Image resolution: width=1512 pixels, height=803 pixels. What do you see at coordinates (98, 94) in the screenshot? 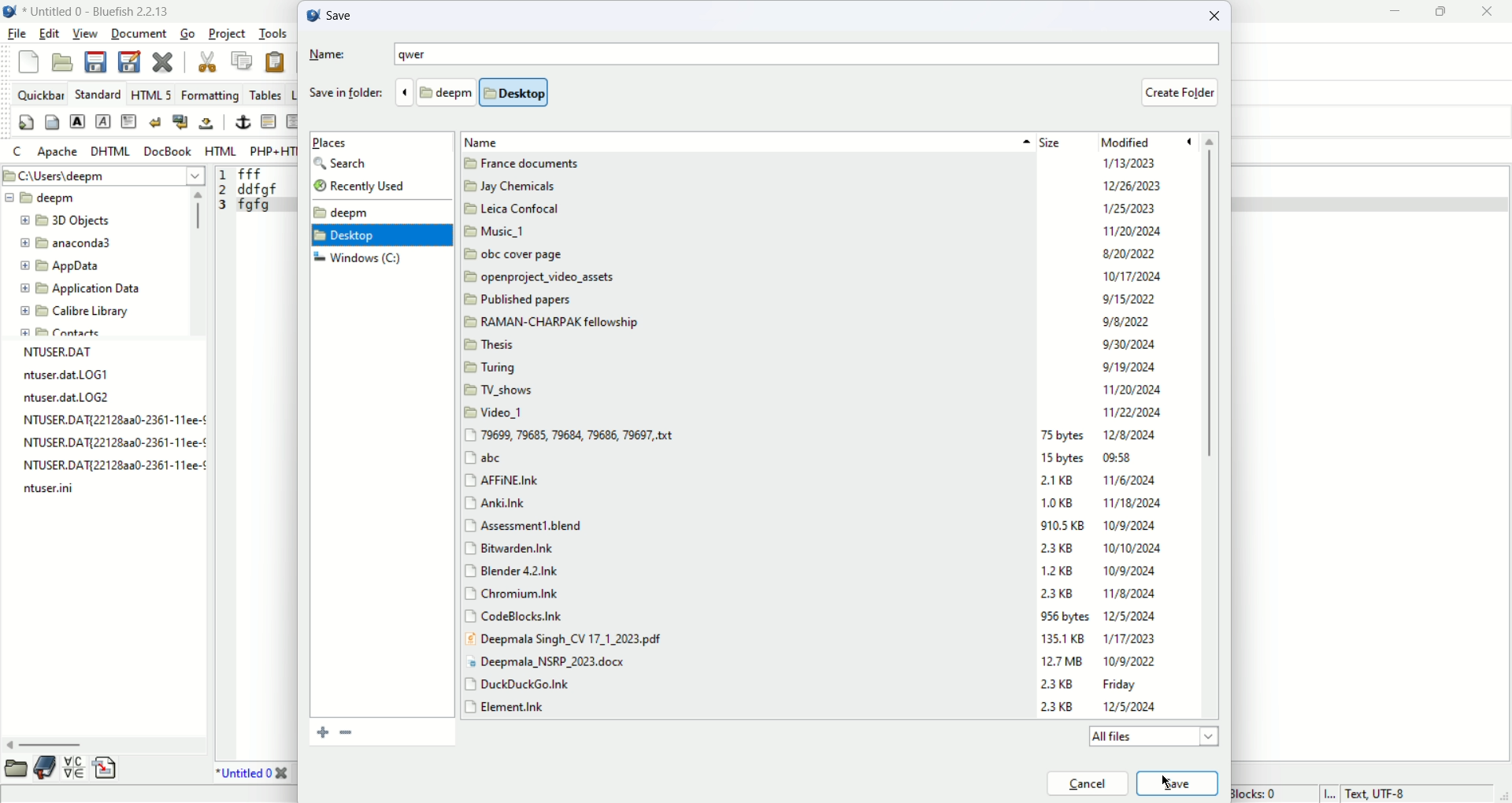
I see `Standard` at bounding box center [98, 94].